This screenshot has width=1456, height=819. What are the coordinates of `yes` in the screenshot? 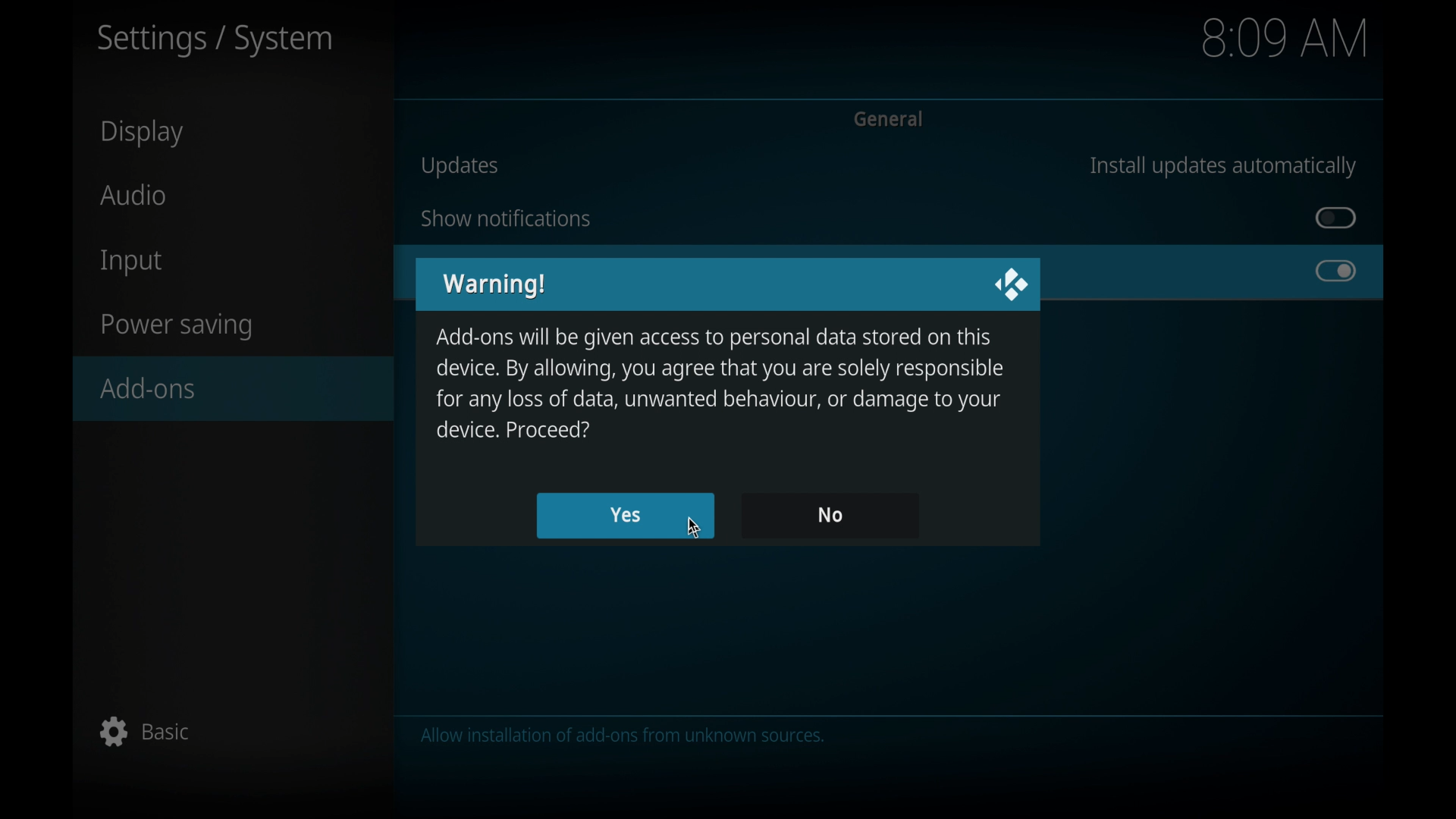 It's located at (626, 516).